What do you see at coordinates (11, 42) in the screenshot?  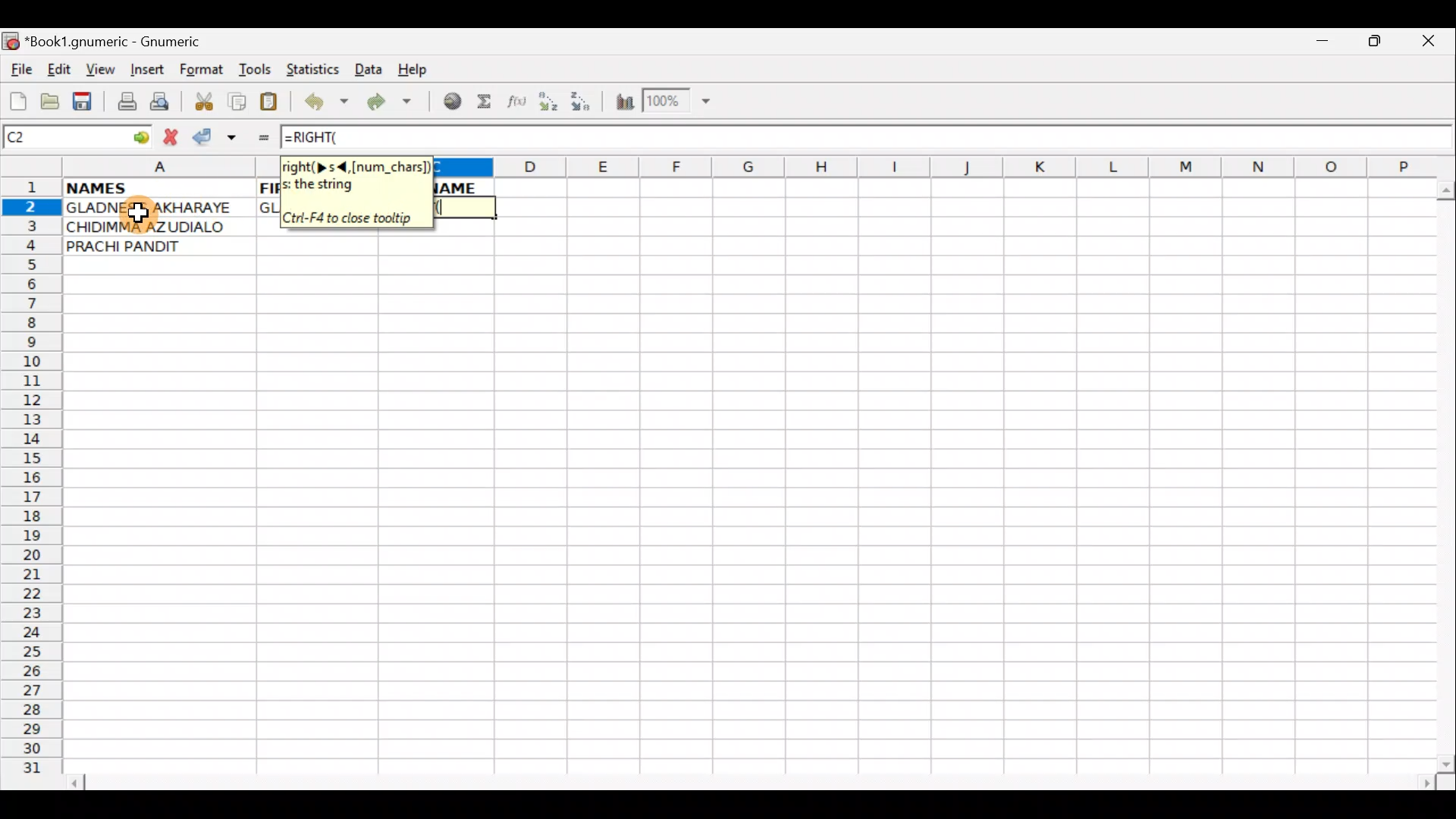 I see `Gnumeric logo` at bounding box center [11, 42].